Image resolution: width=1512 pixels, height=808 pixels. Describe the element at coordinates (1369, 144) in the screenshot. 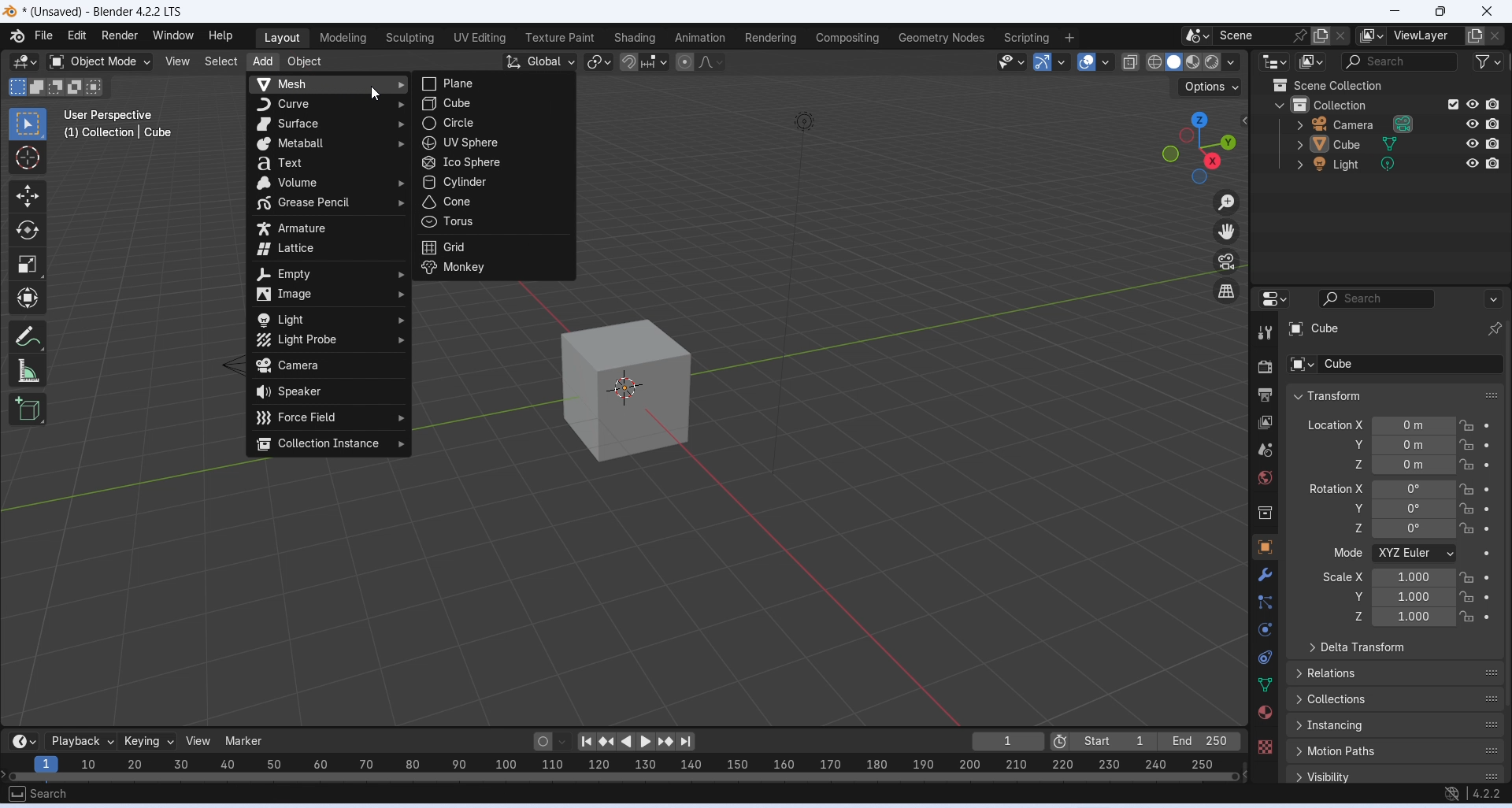

I see `cube layer` at that location.